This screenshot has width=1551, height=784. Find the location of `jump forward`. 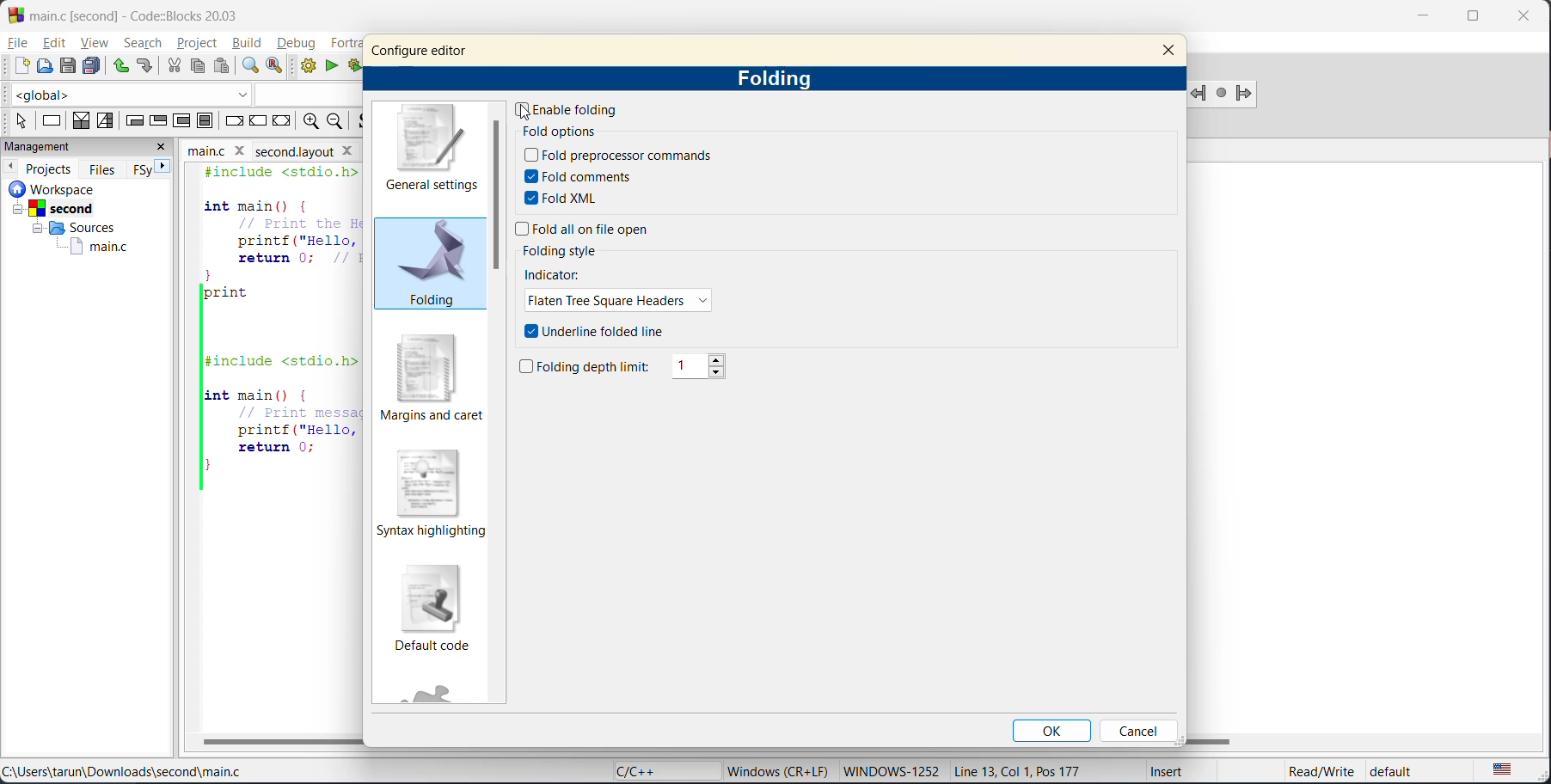

jump forward is located at coordinates (1248, 94).